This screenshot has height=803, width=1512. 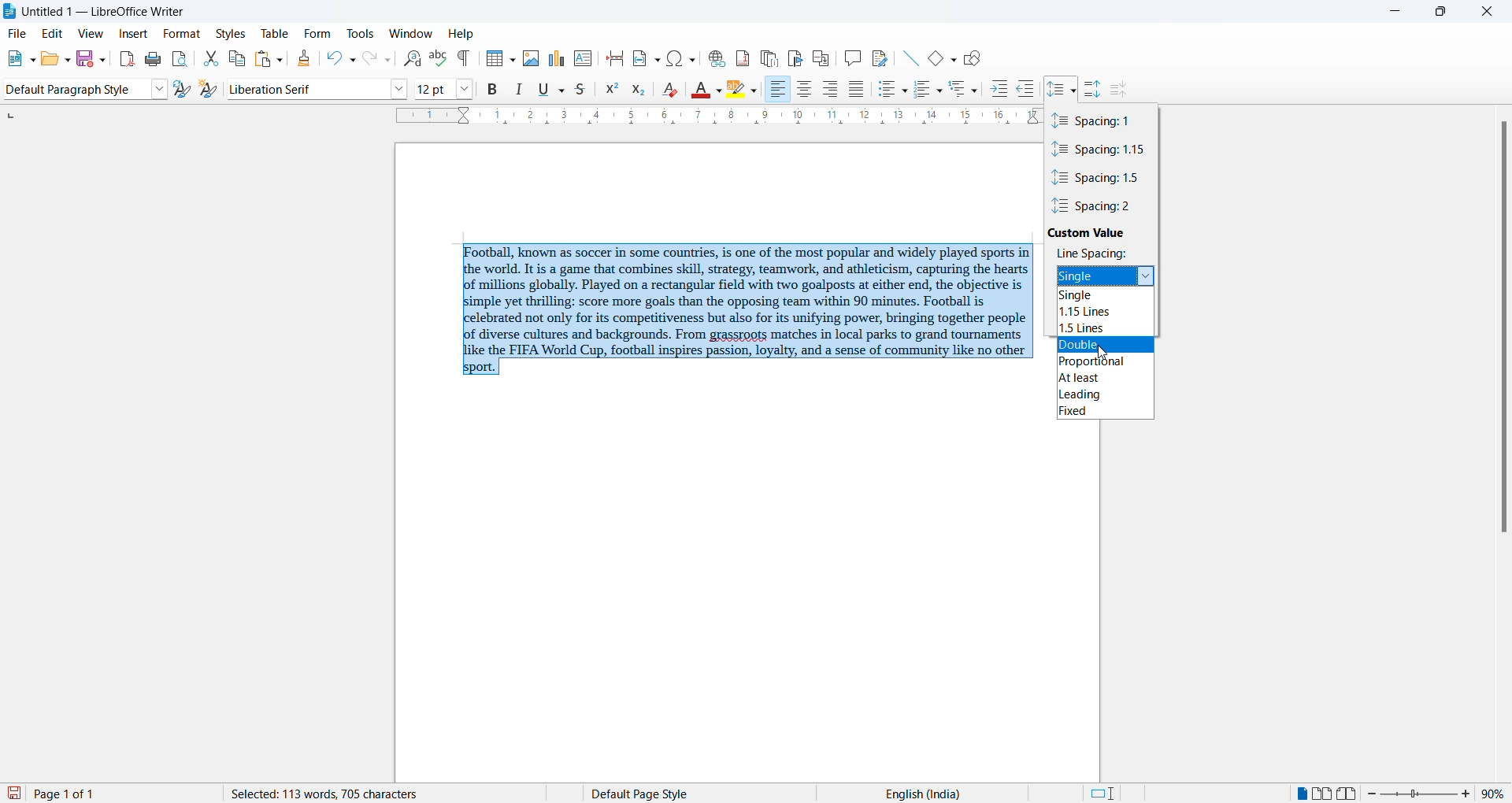 I want to click on insert images, so click(x=533, y=60).